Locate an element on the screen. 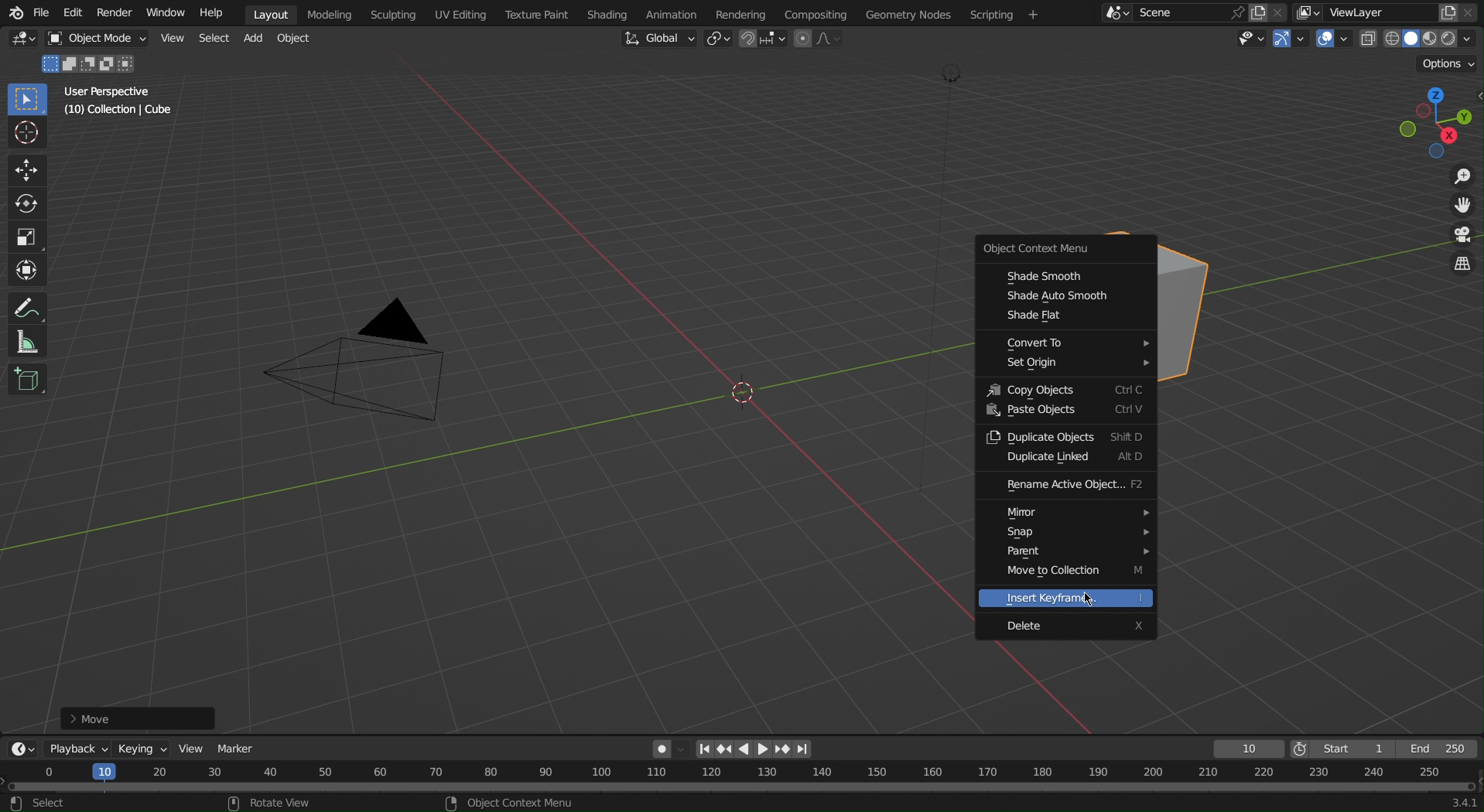  Previous is located at coordinates (723, 749).